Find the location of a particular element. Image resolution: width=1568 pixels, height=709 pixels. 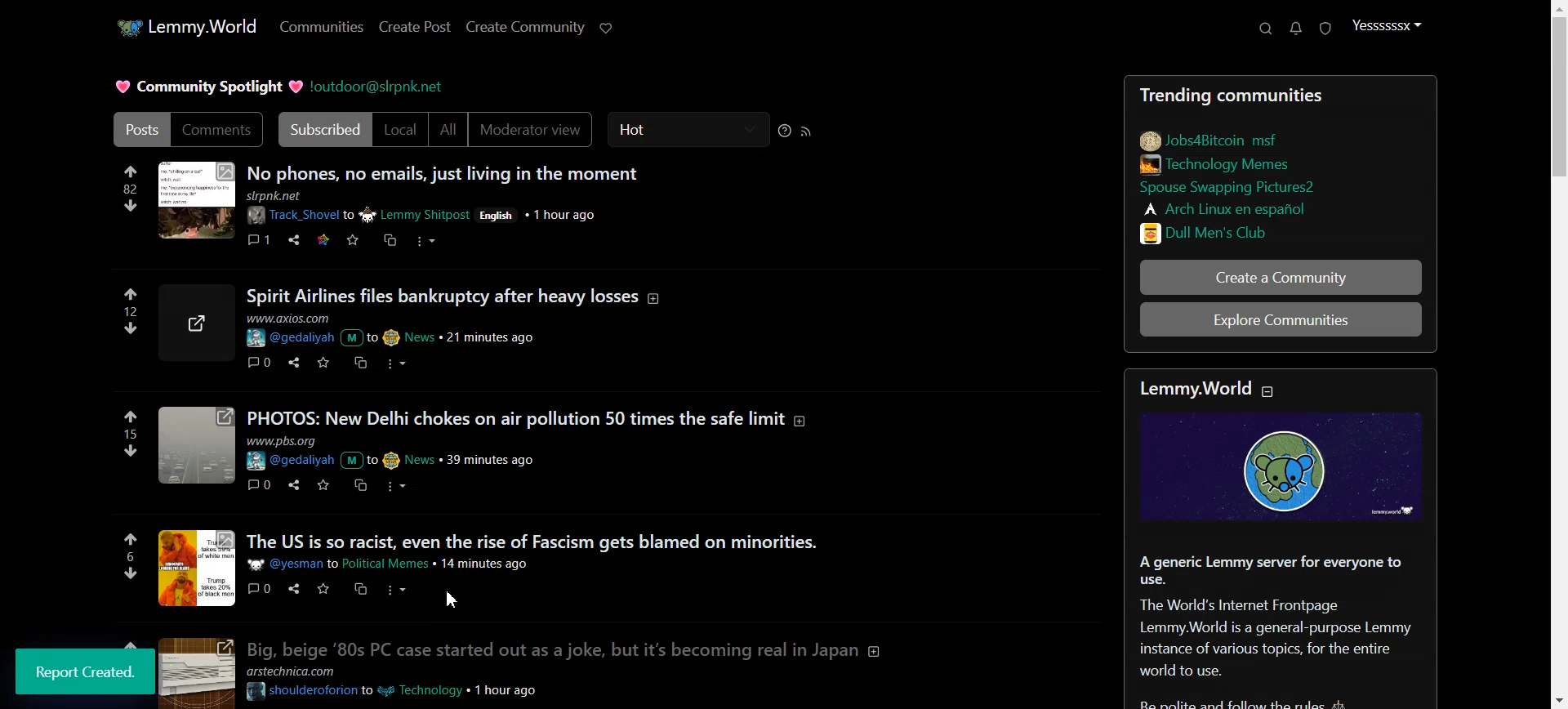

cross post is located at coordinates (359, 362).